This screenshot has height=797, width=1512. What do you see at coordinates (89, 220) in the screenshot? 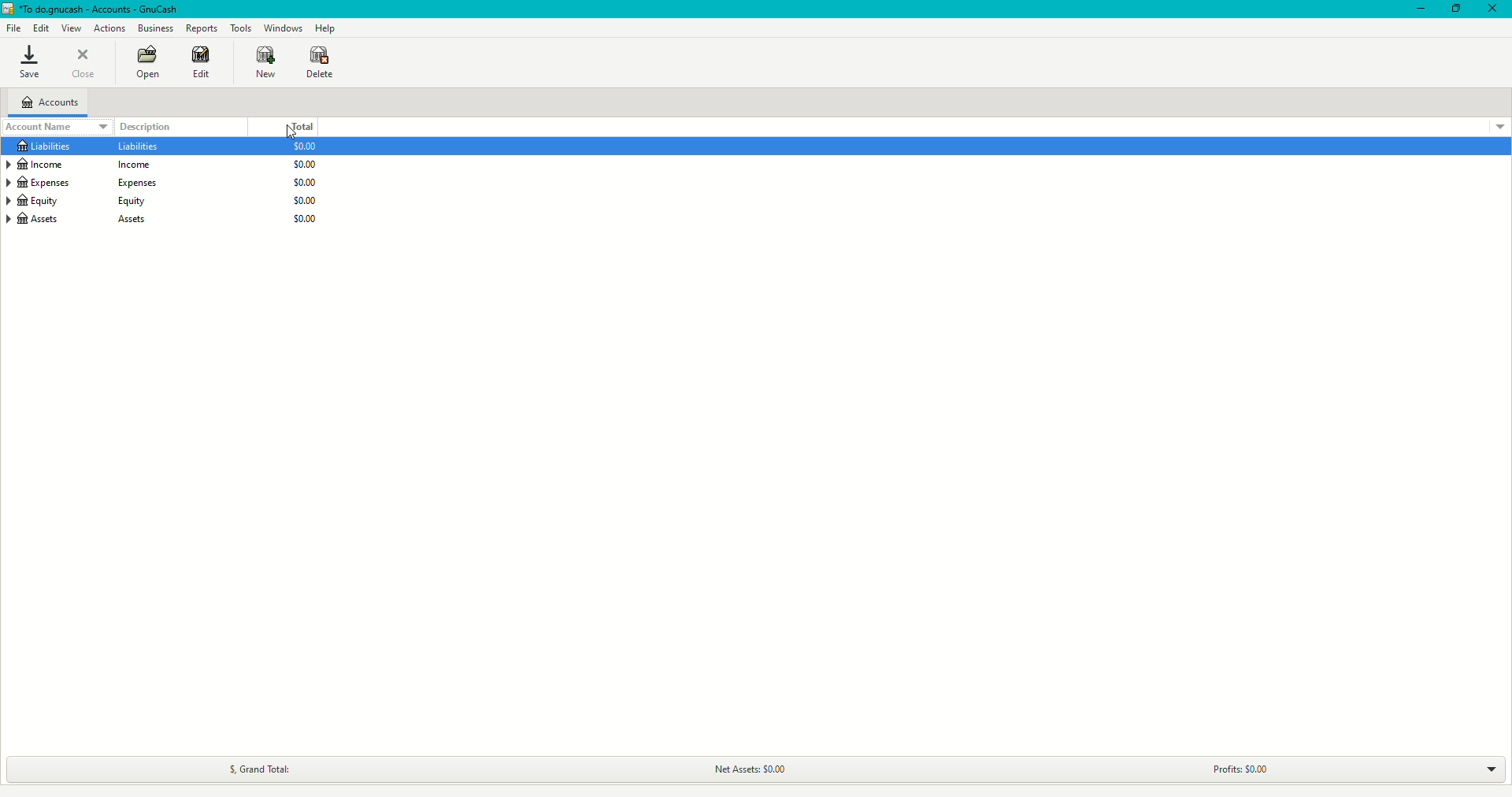
I see `Assets` at bounding box center [89, 220].